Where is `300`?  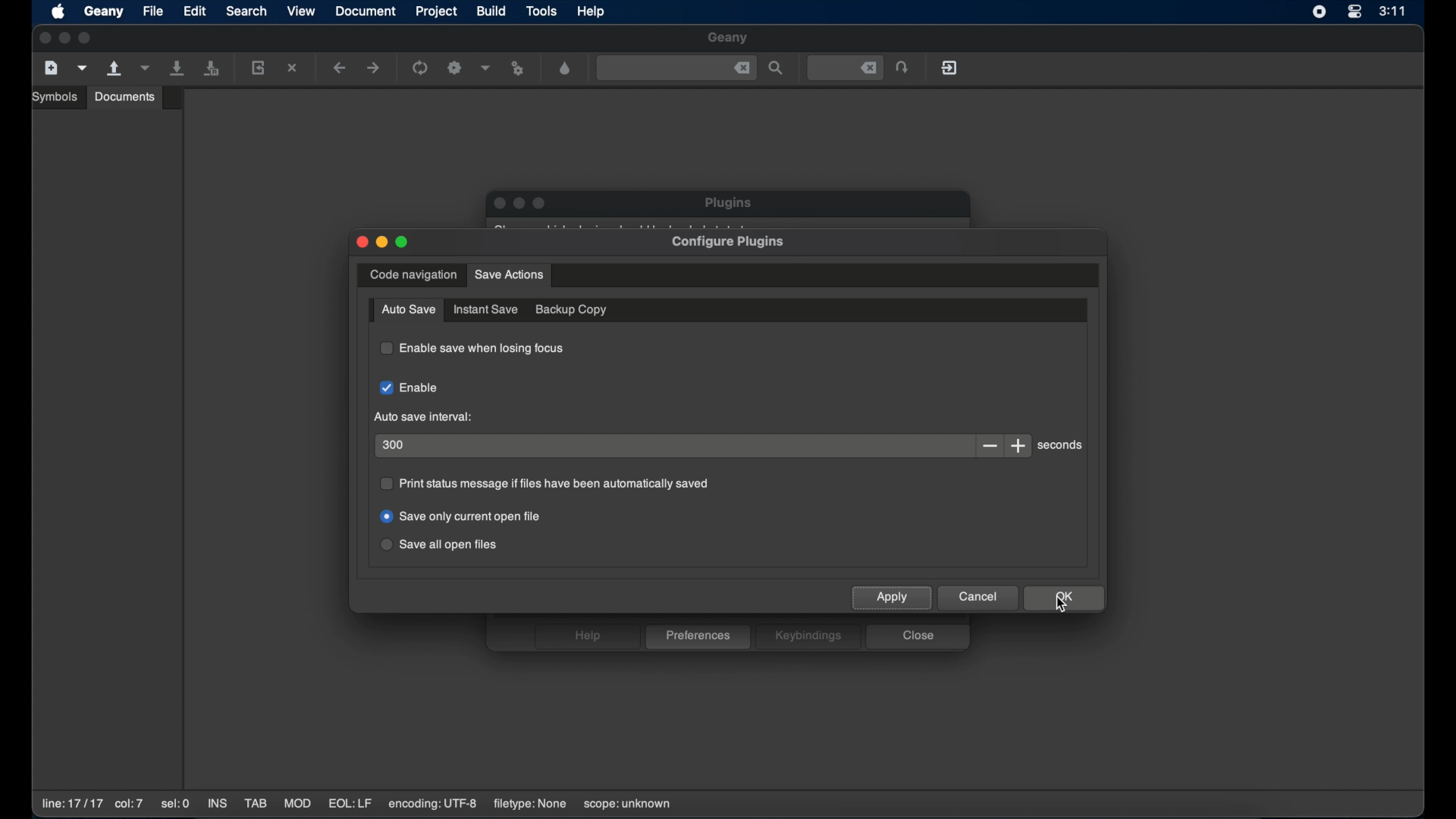
300 is located at coordinates (394, 445).